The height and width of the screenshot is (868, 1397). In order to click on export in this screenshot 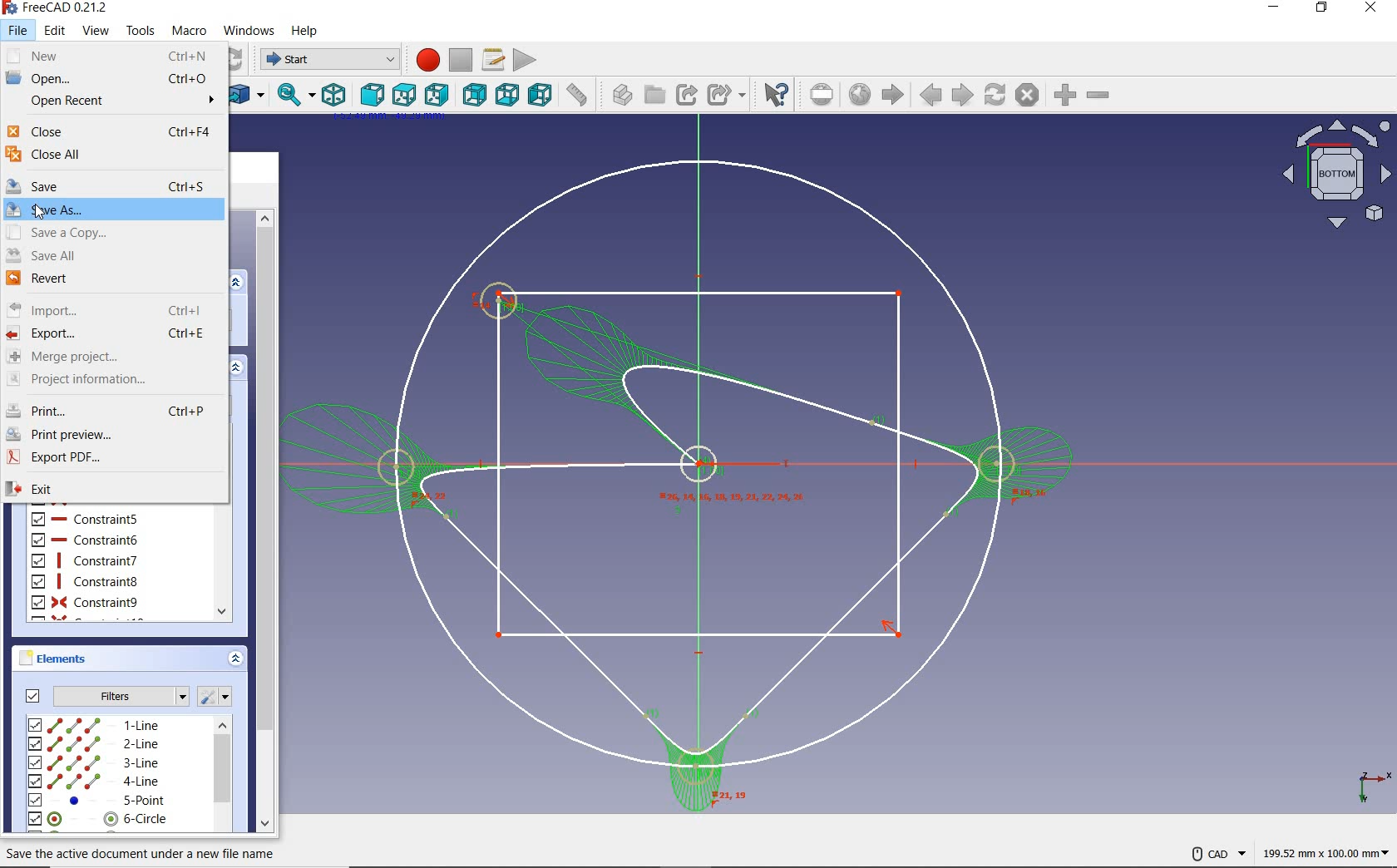, I will do `click(111, 333)`.